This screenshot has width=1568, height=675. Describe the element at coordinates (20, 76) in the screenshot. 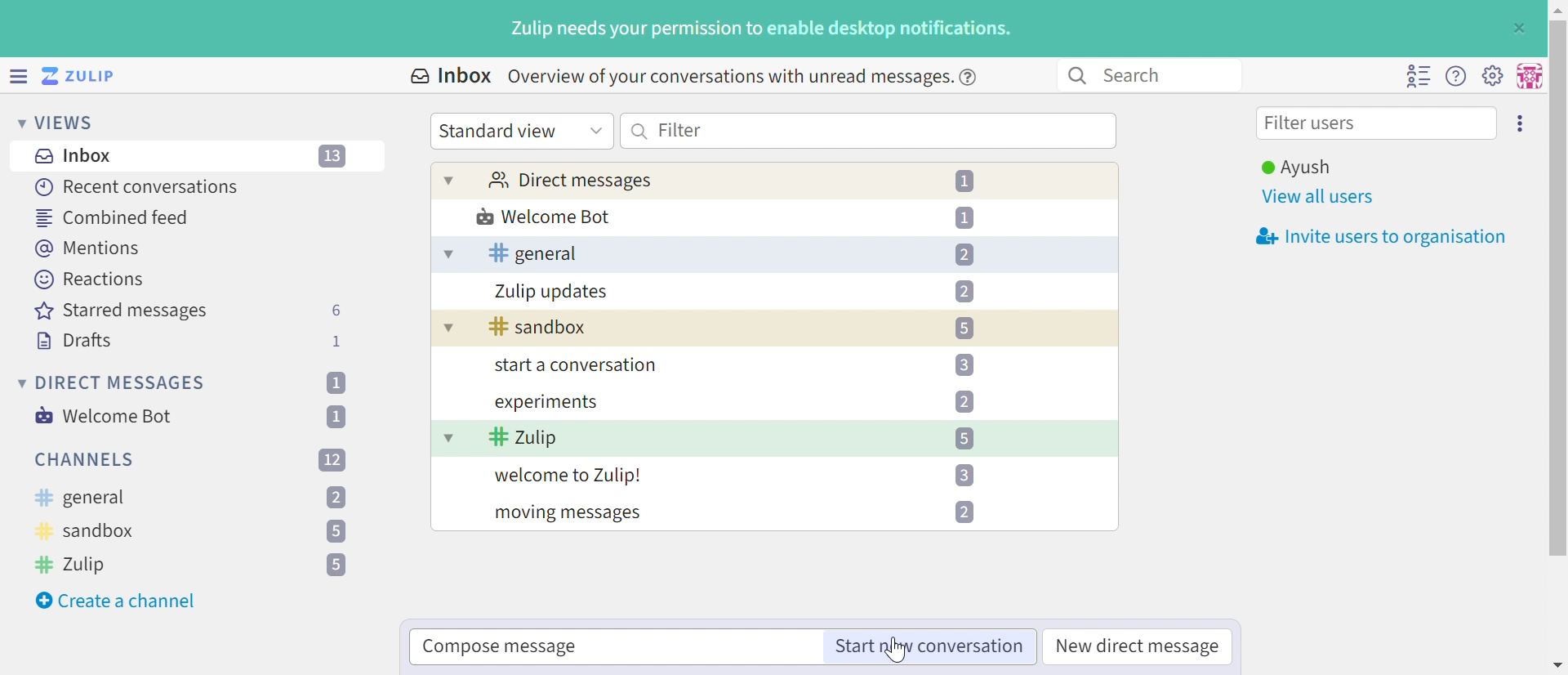

I see `Hide left sidebar` at that location.